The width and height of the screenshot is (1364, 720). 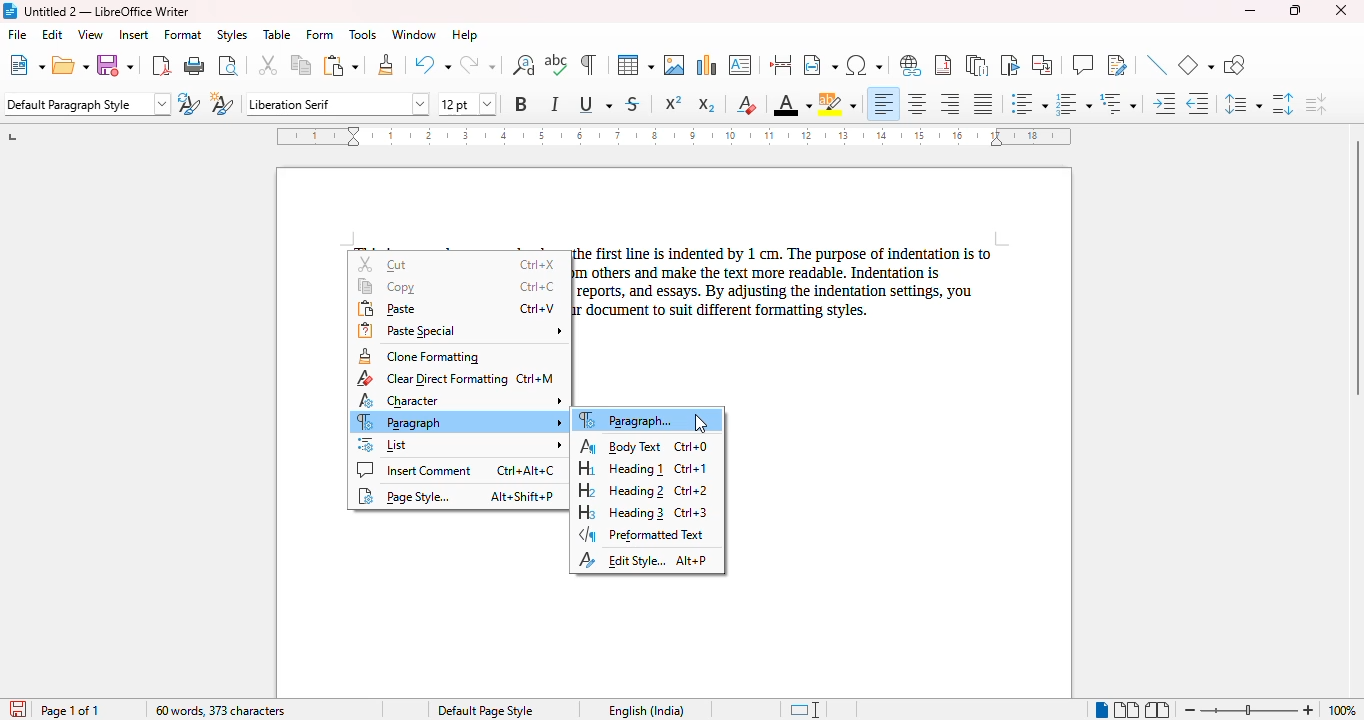 I want to click on insert cross-reference, so click(x=1042, y=65).